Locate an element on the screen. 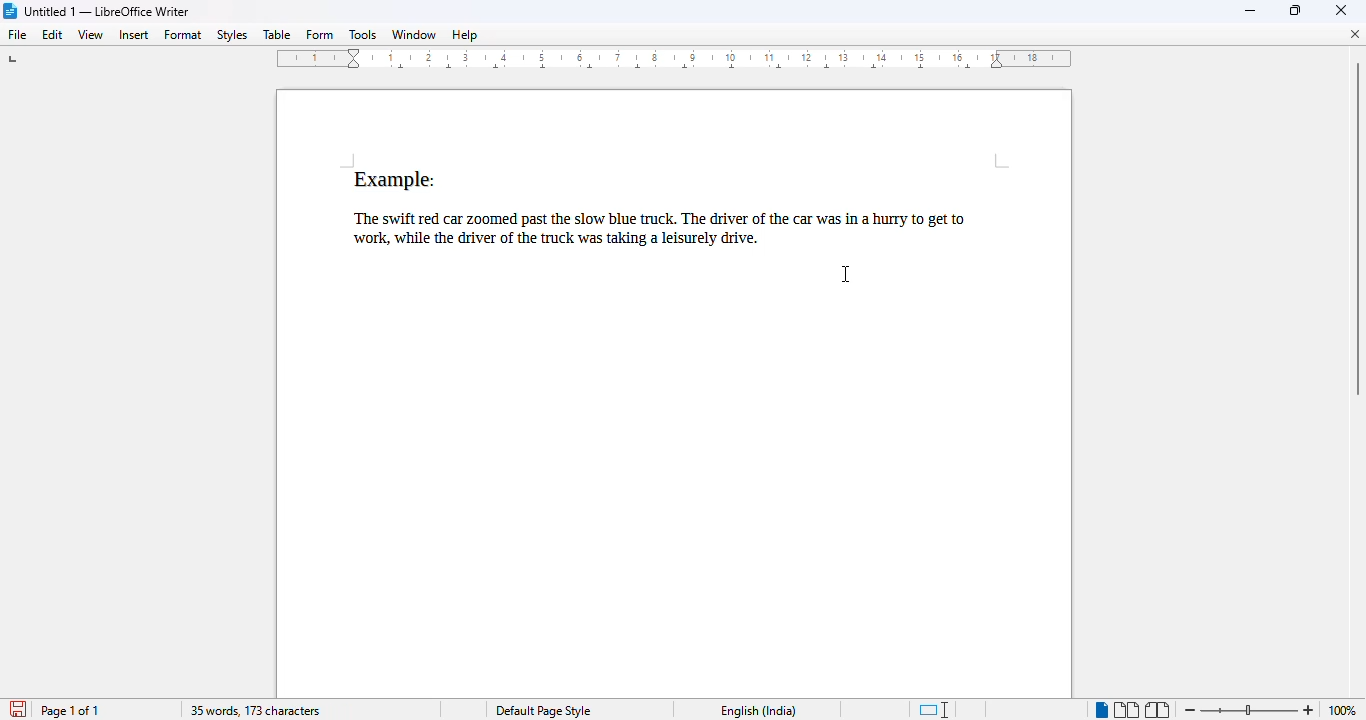 Image resolution: width=1366 pixels, height=720 pixels. format is located at coordinates (184, 34).